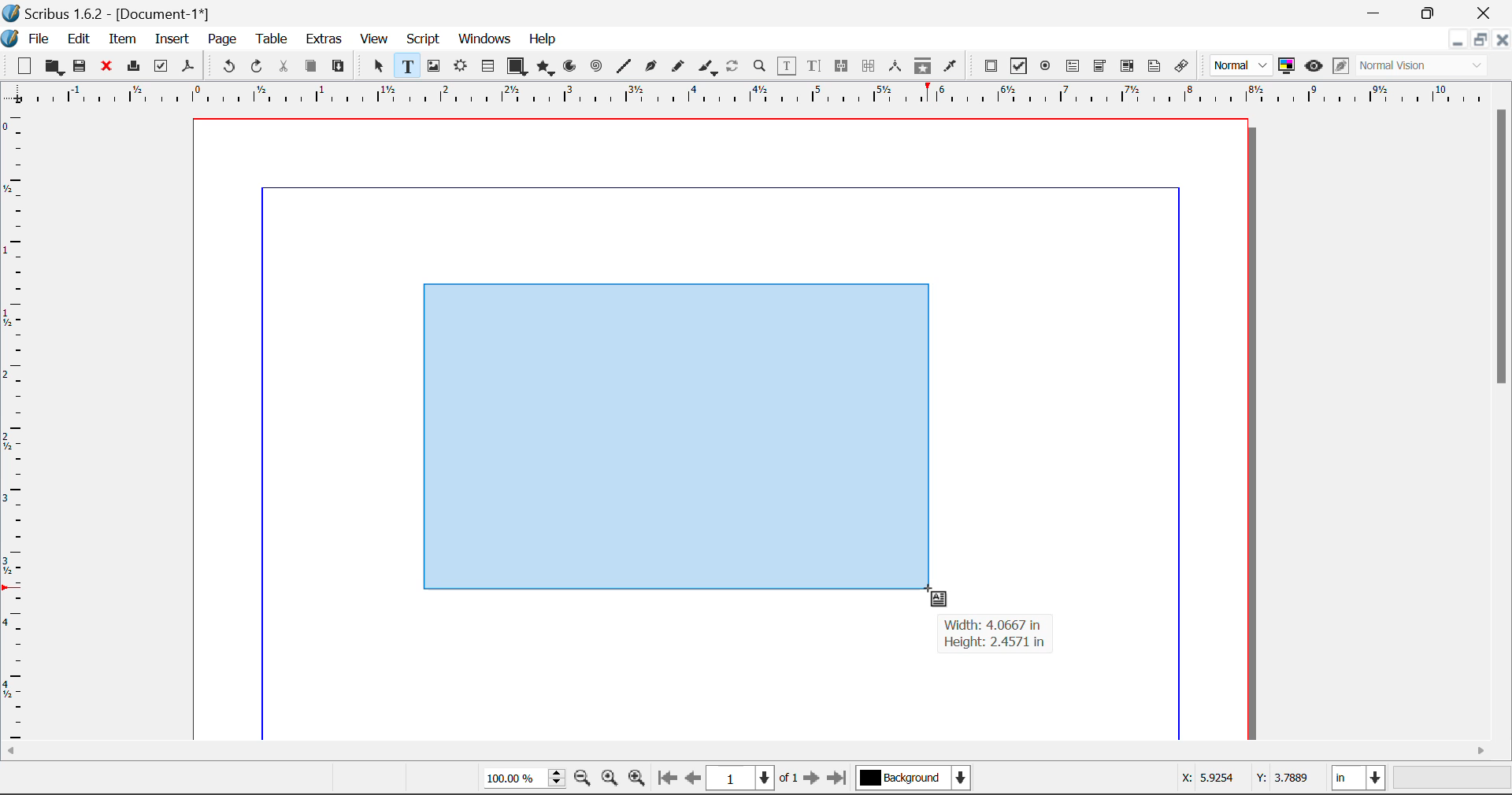 The width and height of the screenshot is (1512, 795). Describe the element at coordinates (757, 752) in the screenshot. I see `Scroll Bar` at that location.